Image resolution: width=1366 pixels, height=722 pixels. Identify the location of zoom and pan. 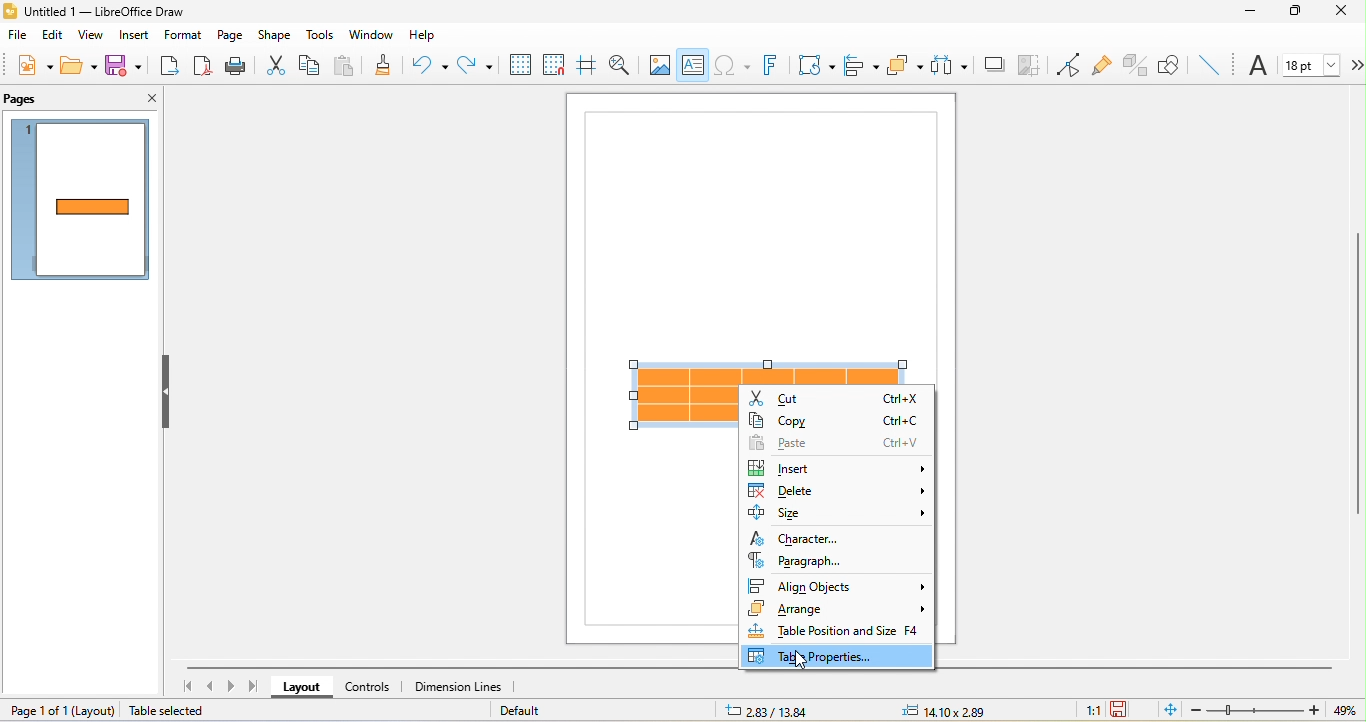
(623, 67).